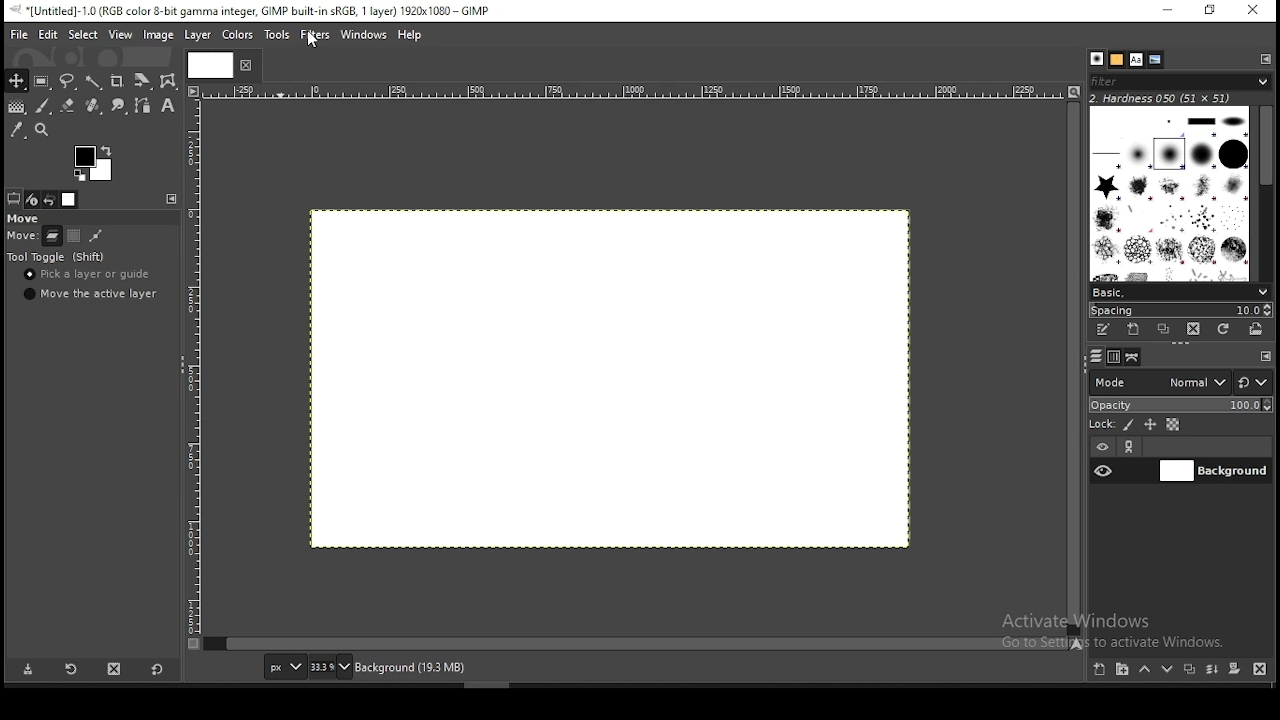 The image size is (1280, 720). What do you see at coordinates (48, 35) in the screenshot?
I see `edit` at bounding box center [48, 35].